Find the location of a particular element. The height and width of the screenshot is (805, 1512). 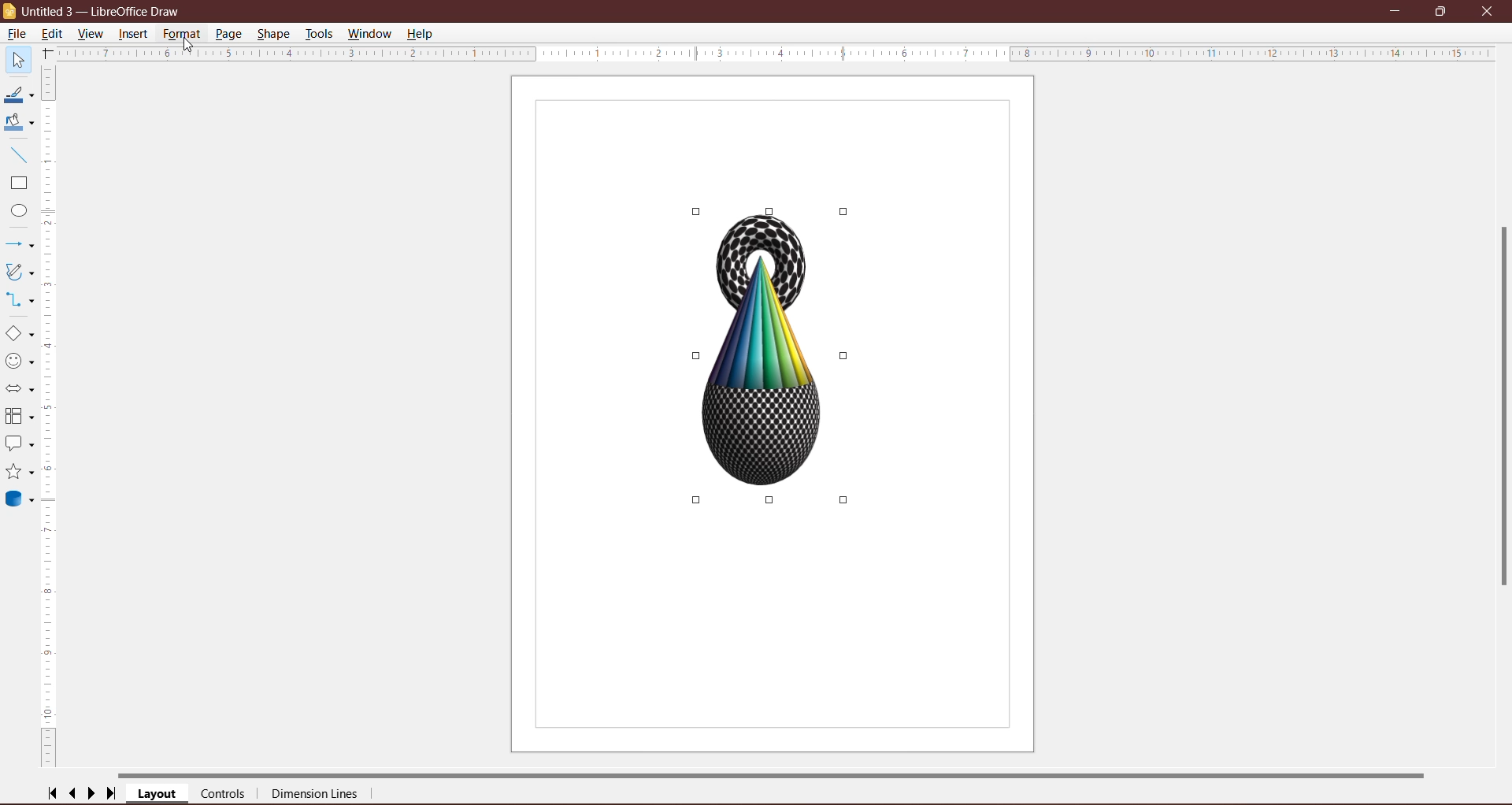

 is located at coordinates (51, 793).